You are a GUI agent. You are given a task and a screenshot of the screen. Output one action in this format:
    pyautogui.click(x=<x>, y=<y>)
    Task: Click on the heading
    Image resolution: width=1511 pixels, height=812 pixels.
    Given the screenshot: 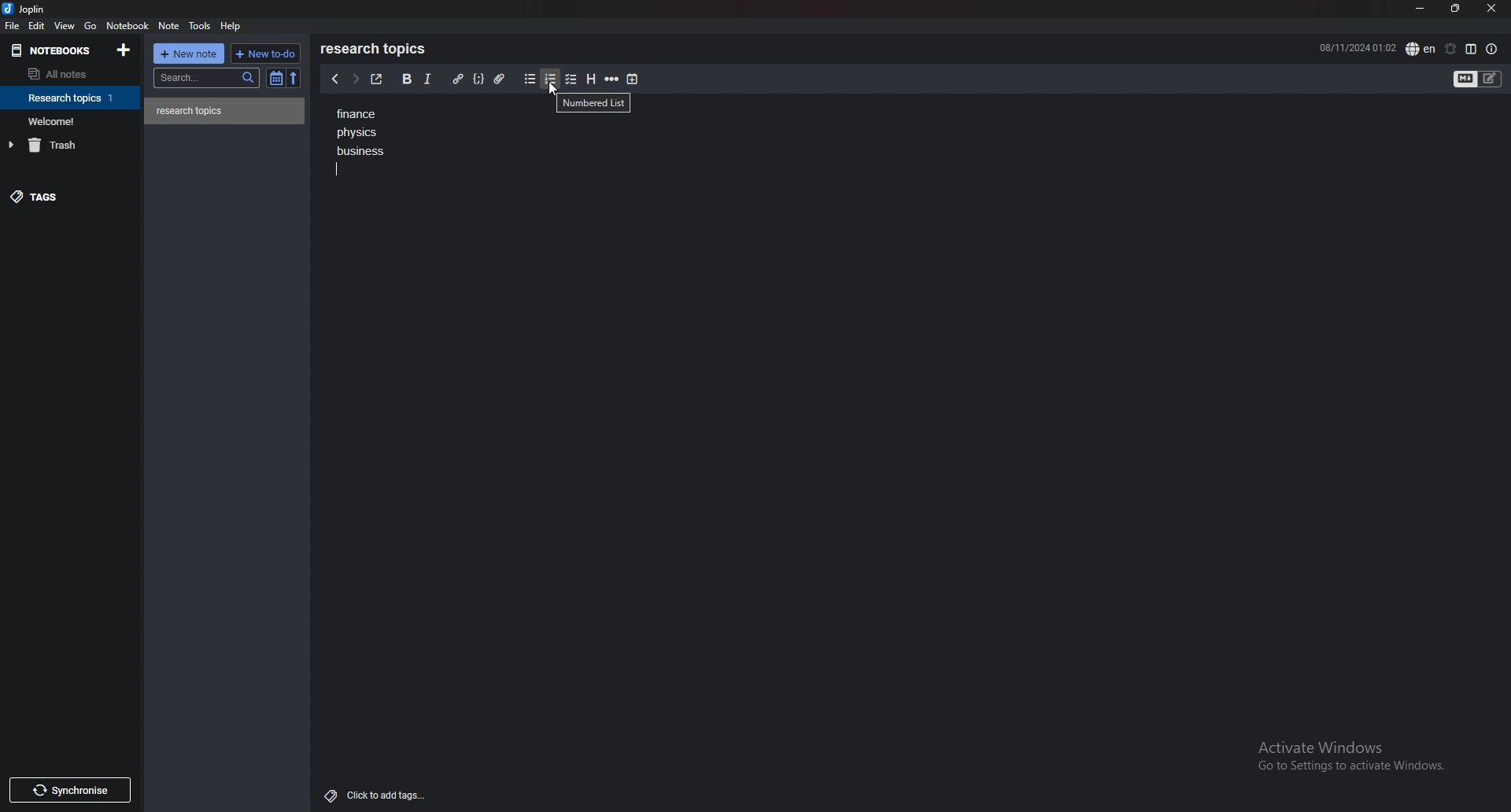 What is the action you would take?
    pyautogui.click(x=590, y=79)
    